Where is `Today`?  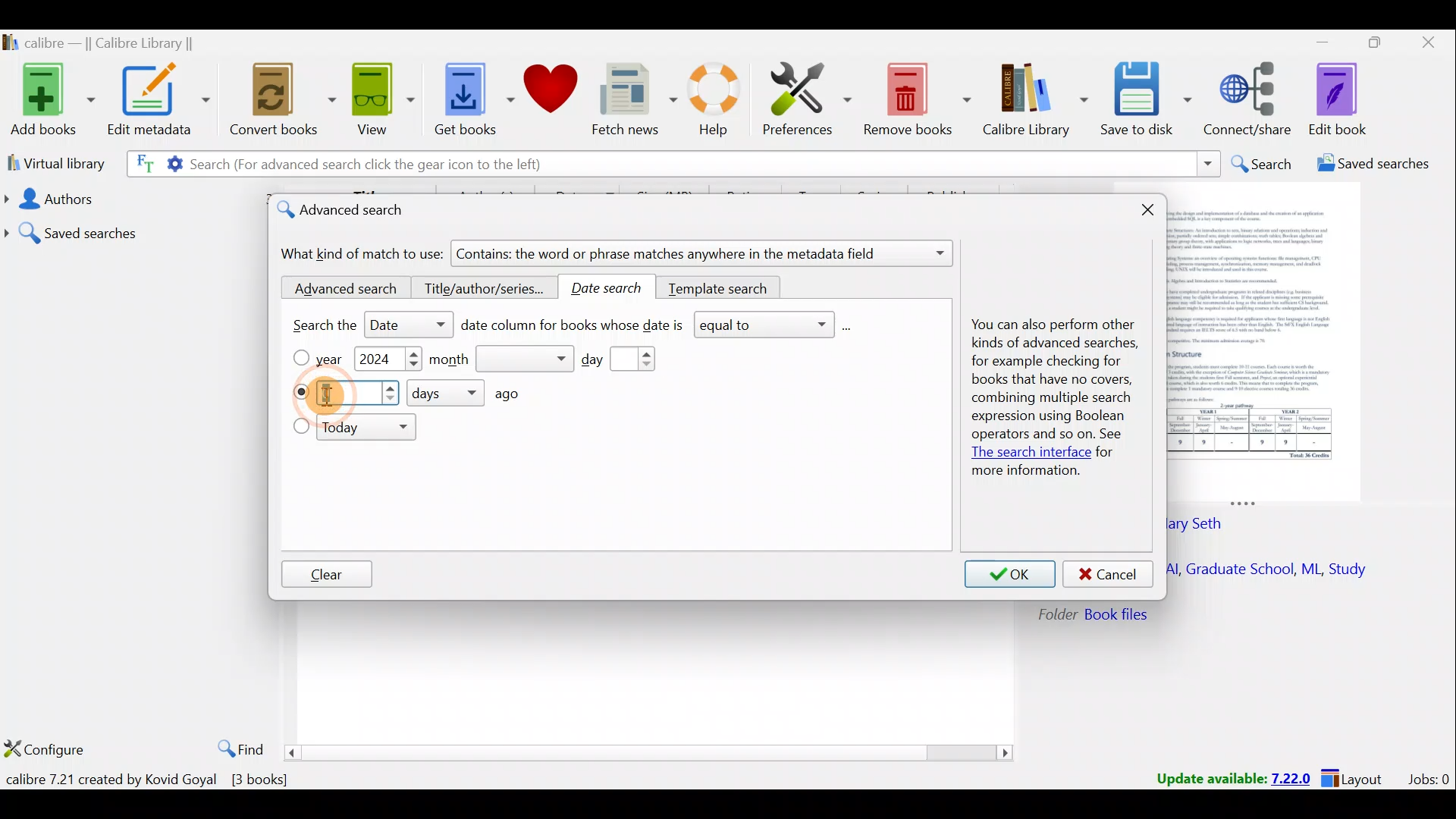 Today is located at coordinates (369, 429).